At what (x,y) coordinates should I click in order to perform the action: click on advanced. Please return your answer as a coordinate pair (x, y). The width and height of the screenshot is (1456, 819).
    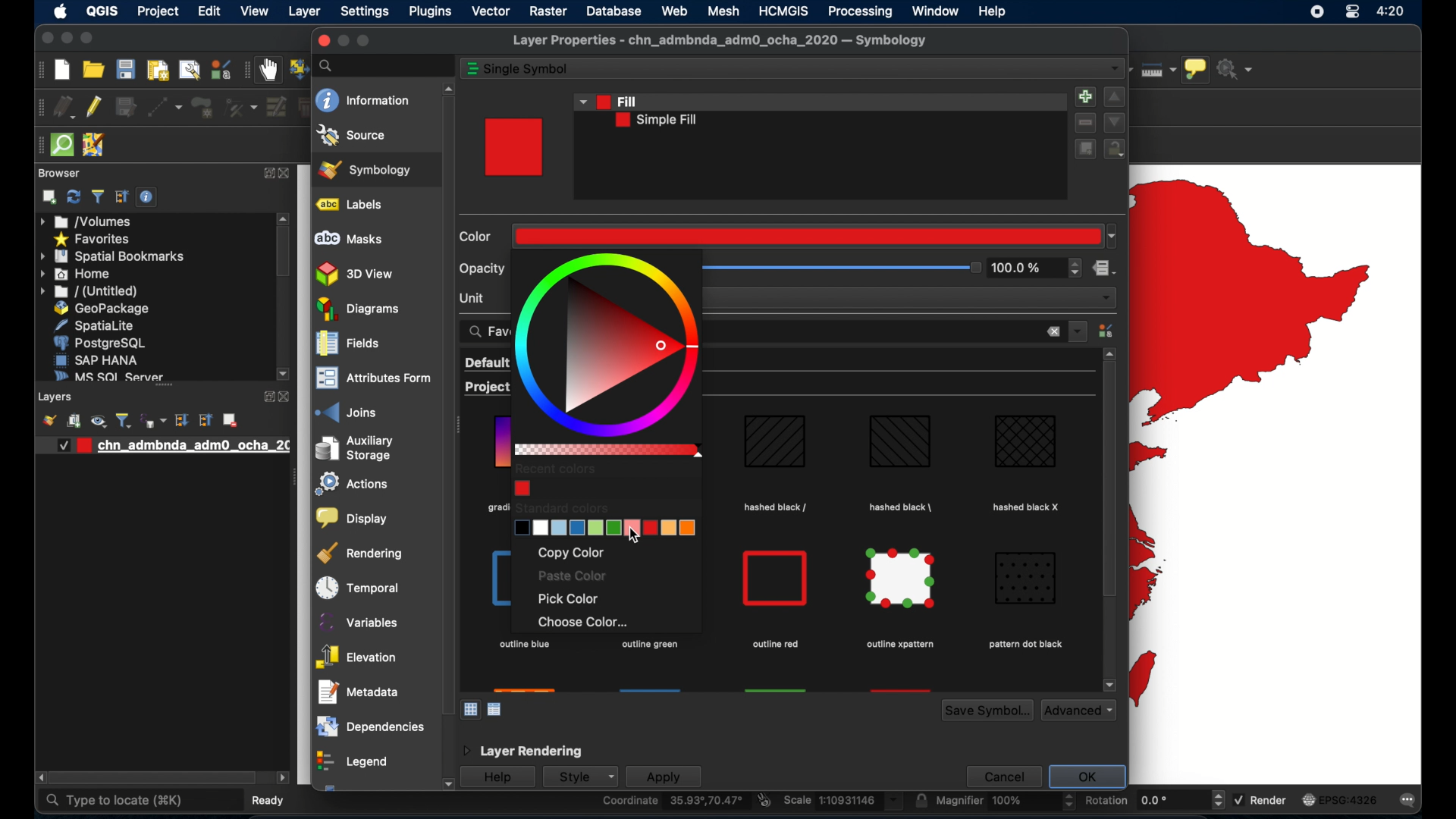
    Looking at the image, I should click on (1079, 710).